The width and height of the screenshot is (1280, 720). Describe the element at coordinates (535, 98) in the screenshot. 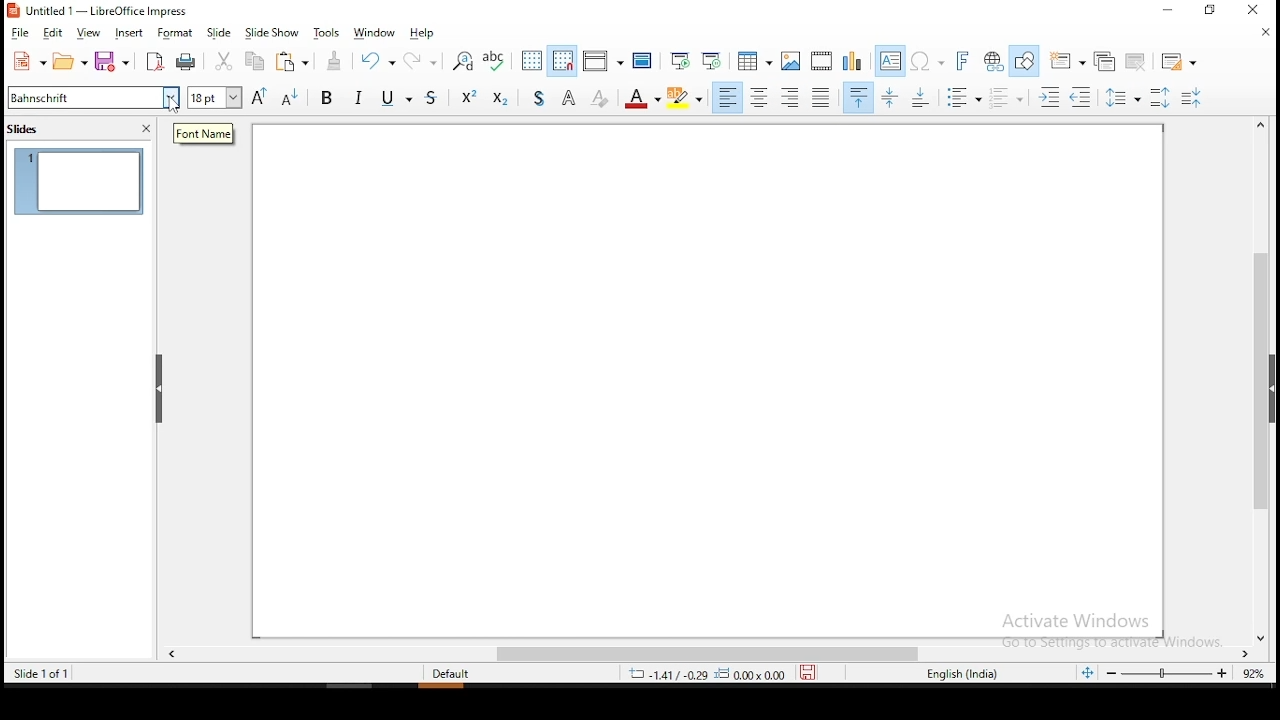

I see `toggle shadow` at that location.